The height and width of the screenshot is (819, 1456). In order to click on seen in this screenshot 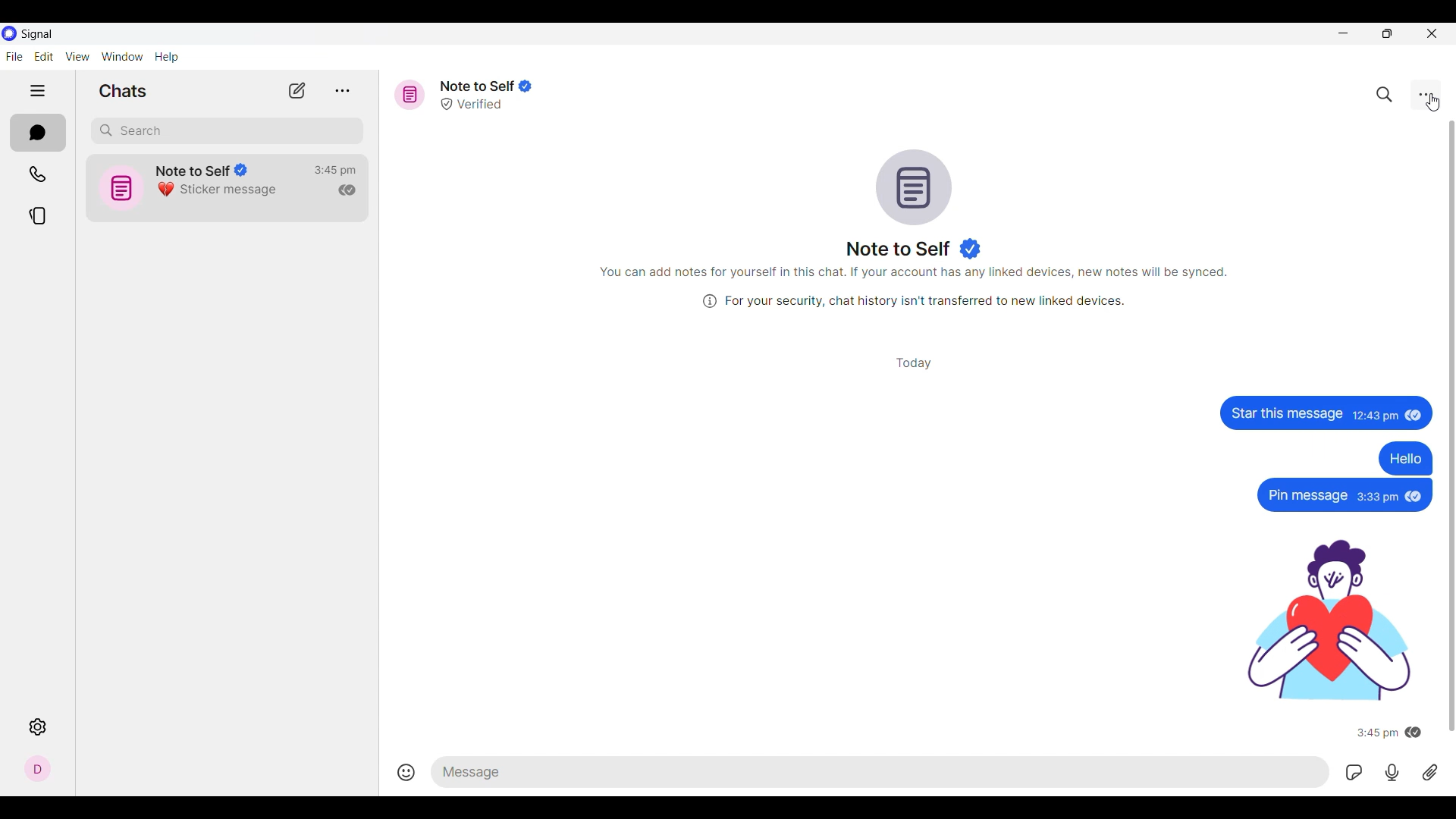, I will do `click(1415, 733)`.